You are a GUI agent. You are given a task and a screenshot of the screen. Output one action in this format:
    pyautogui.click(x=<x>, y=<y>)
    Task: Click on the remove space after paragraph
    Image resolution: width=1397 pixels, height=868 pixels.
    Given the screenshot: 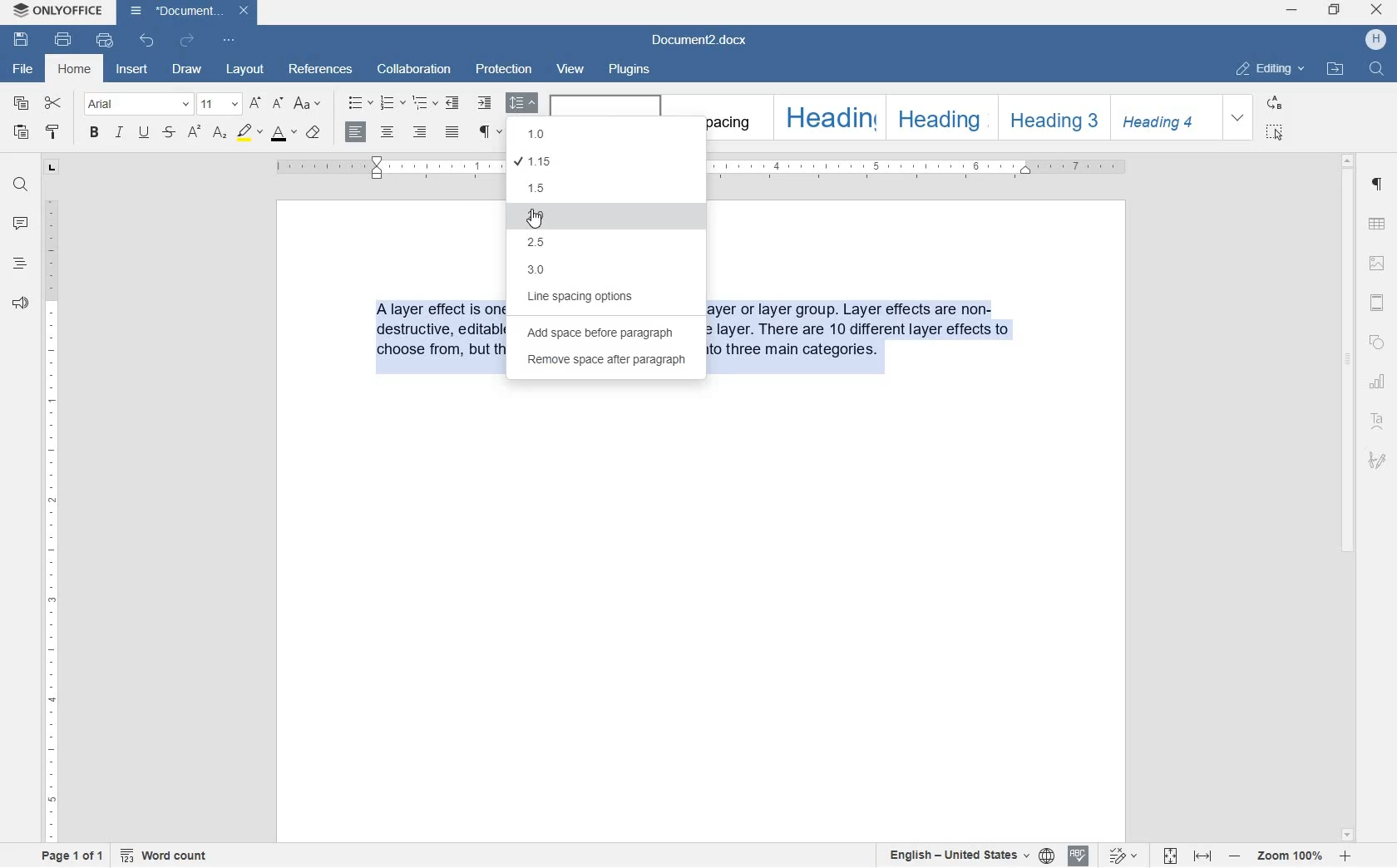 What is the action you would take?
    pyautogui.click(x=605, y=360)
    